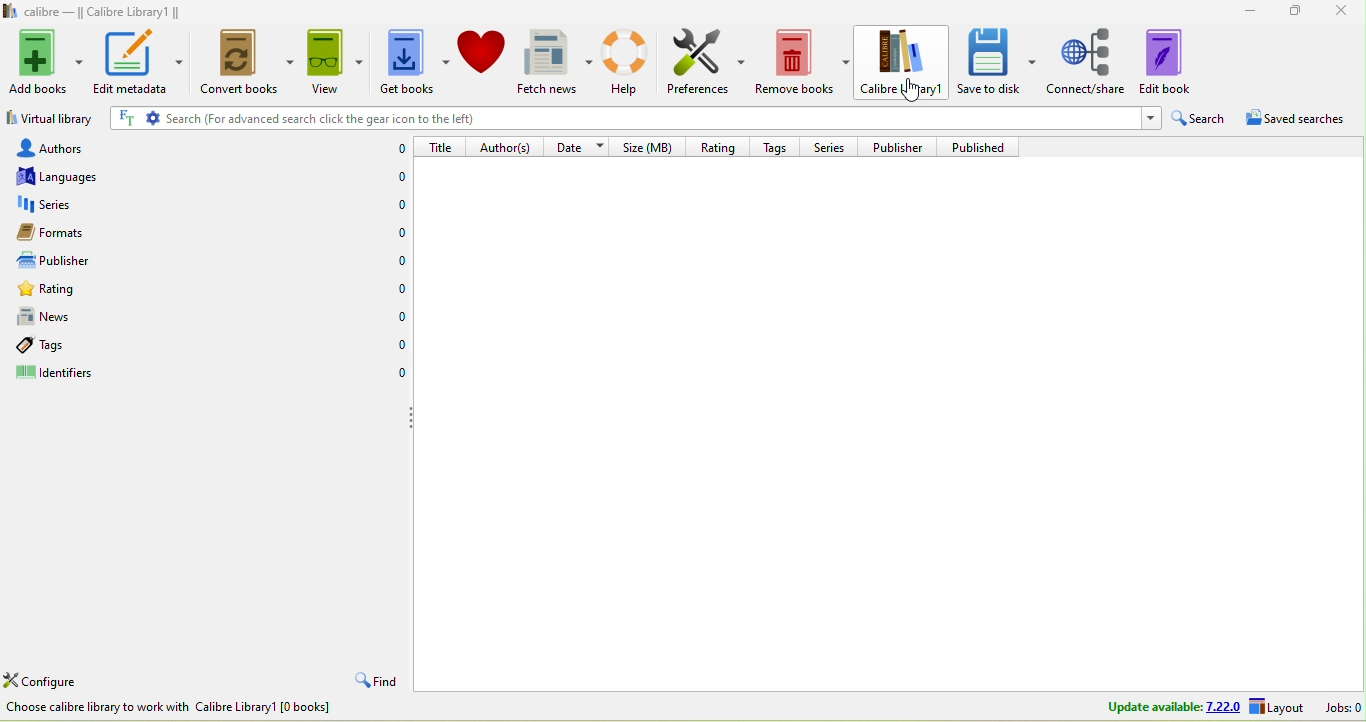 Image resolution: width=1366 pixels, height=722 pixels. I want to click on 0, so click(395, 260).